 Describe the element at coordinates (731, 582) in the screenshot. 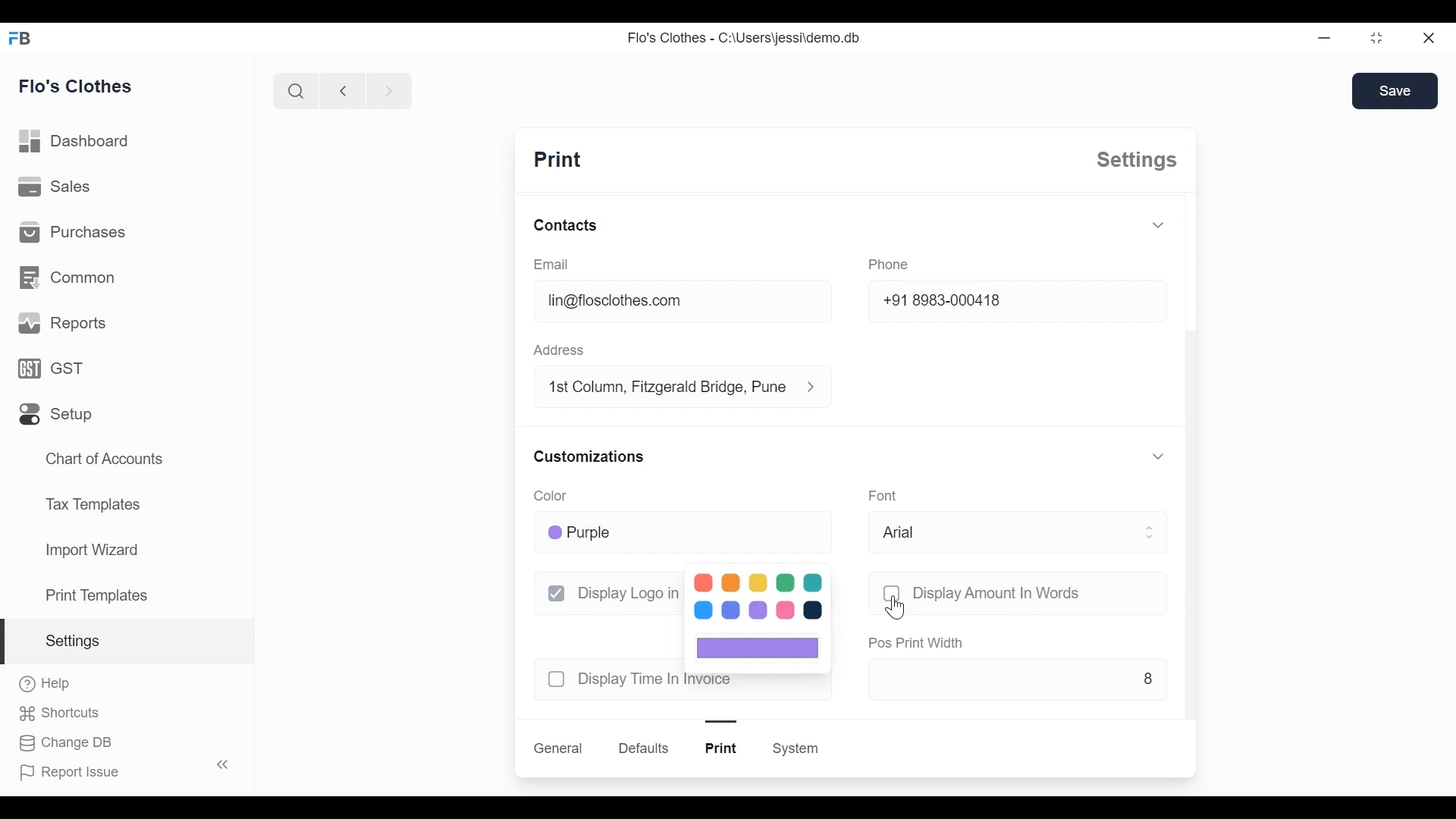

I see `color 2` at that location.